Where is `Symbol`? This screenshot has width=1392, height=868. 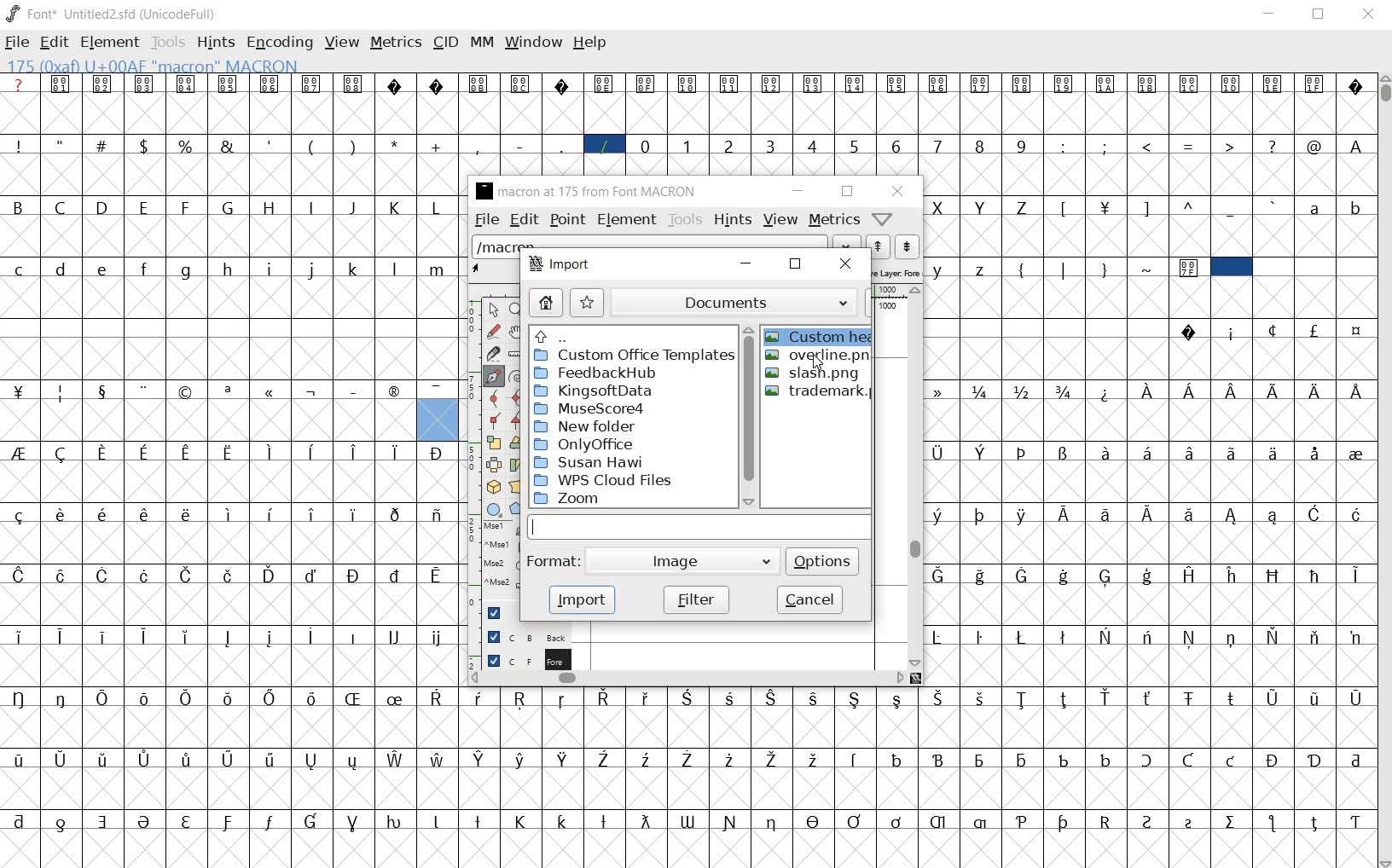 Symbol is located at coordinates (1357, 330).